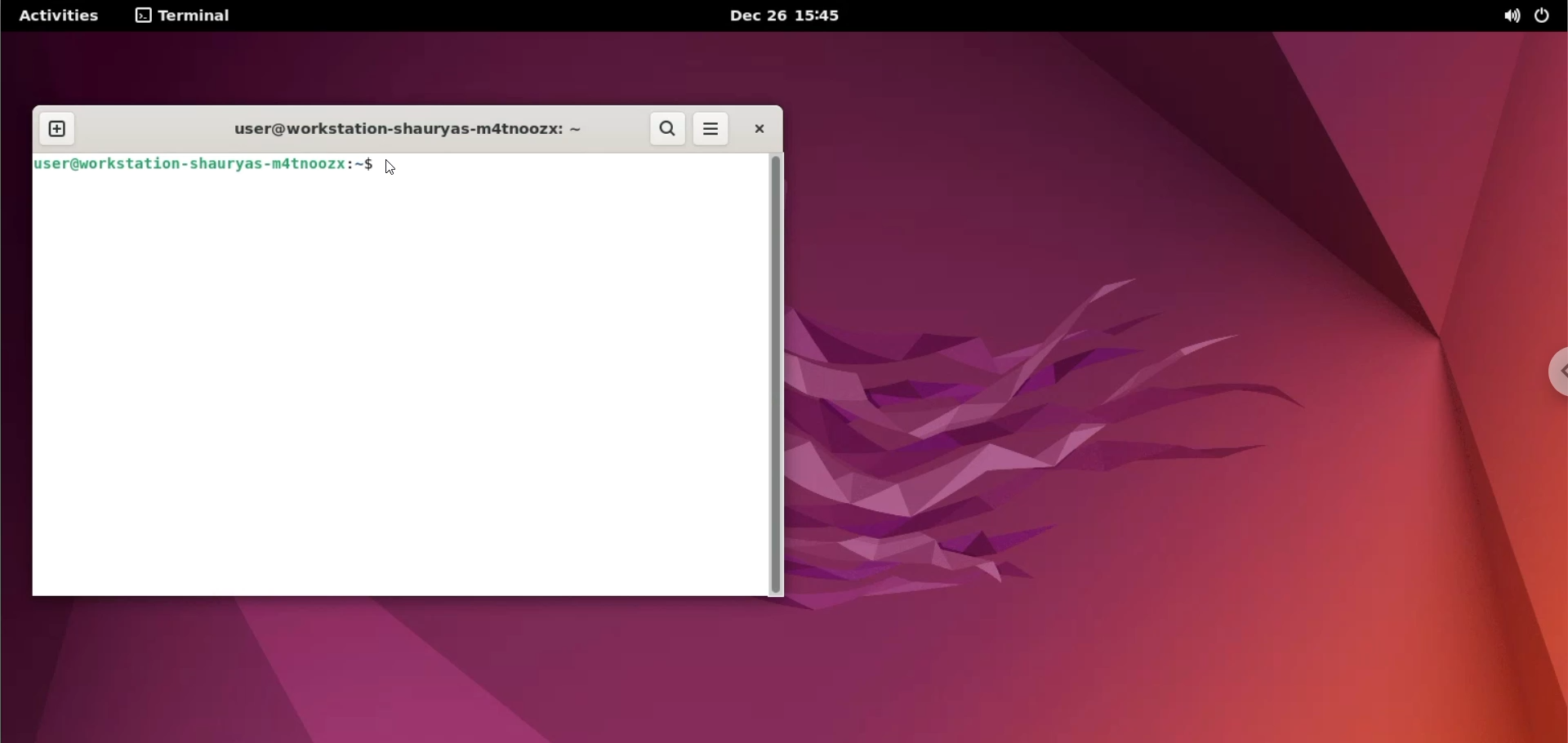 This screenshot has width=1568, height=743. I want to click on chrome options, so click(1554, 371).